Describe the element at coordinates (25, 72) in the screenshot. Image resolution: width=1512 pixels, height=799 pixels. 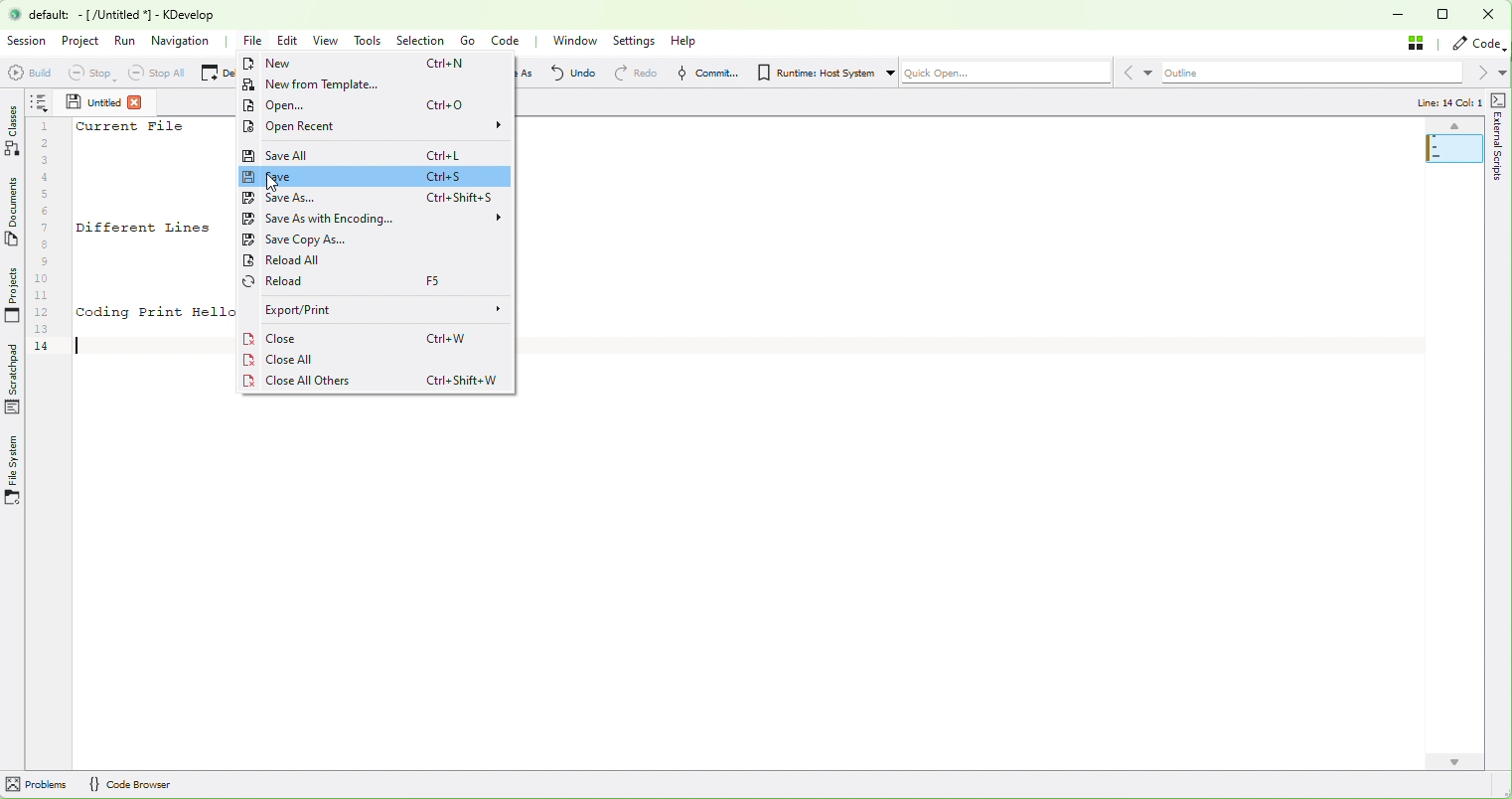
I see `Build` at that location.